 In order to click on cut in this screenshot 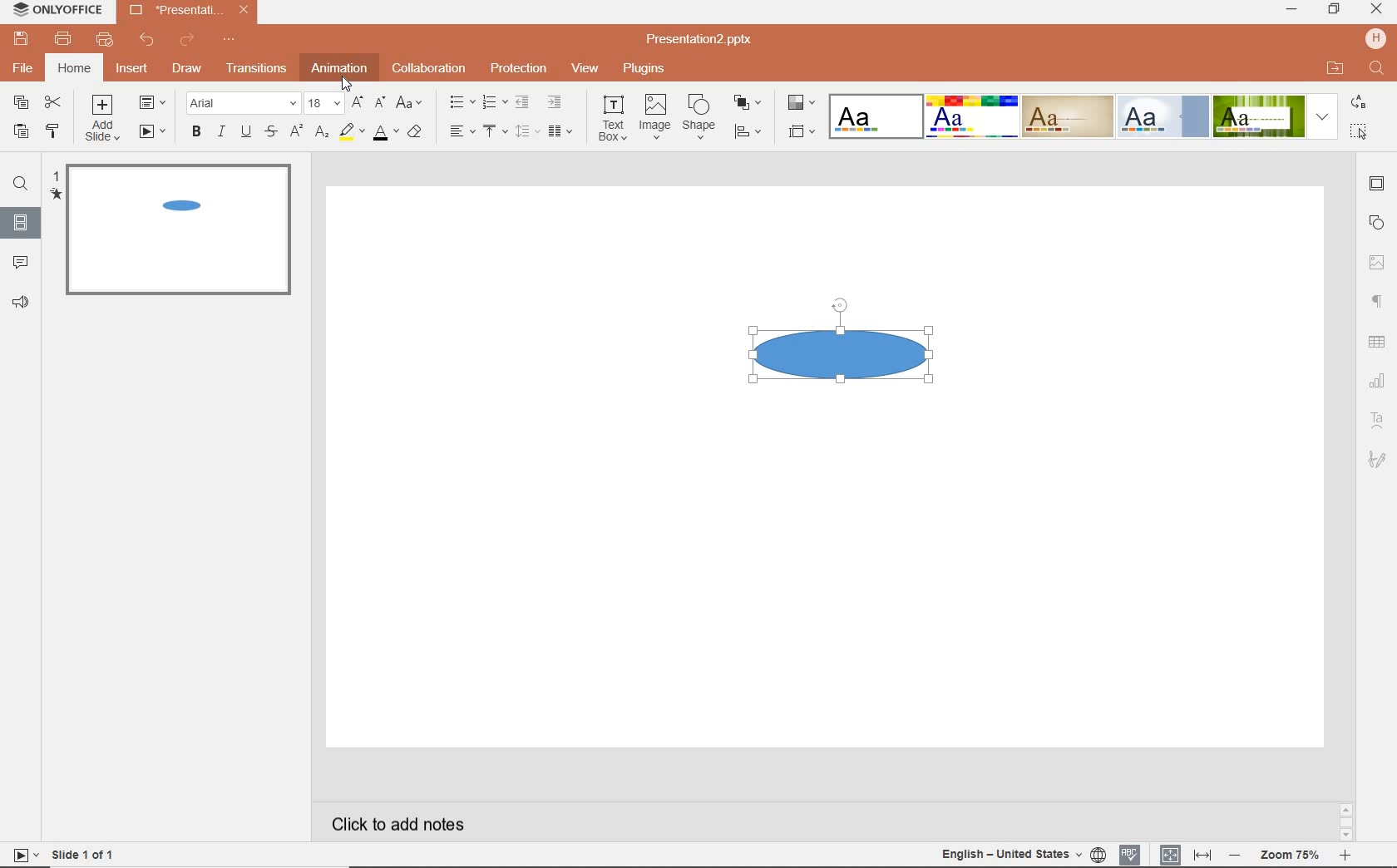, I will do `click(52, 103)`.